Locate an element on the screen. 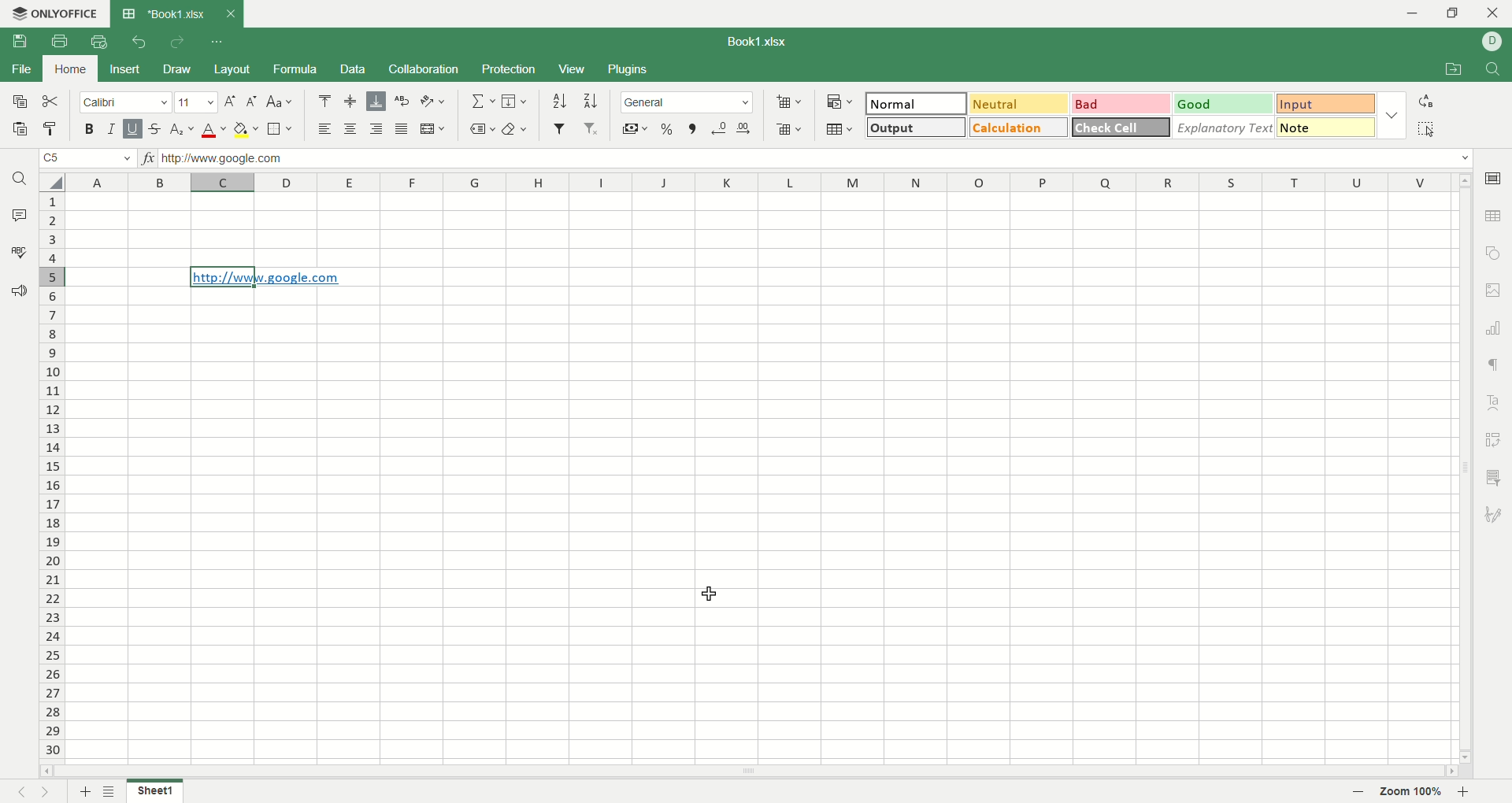 The image size is (1512, 803). conditional formatting is located at coordinates (837, 100).